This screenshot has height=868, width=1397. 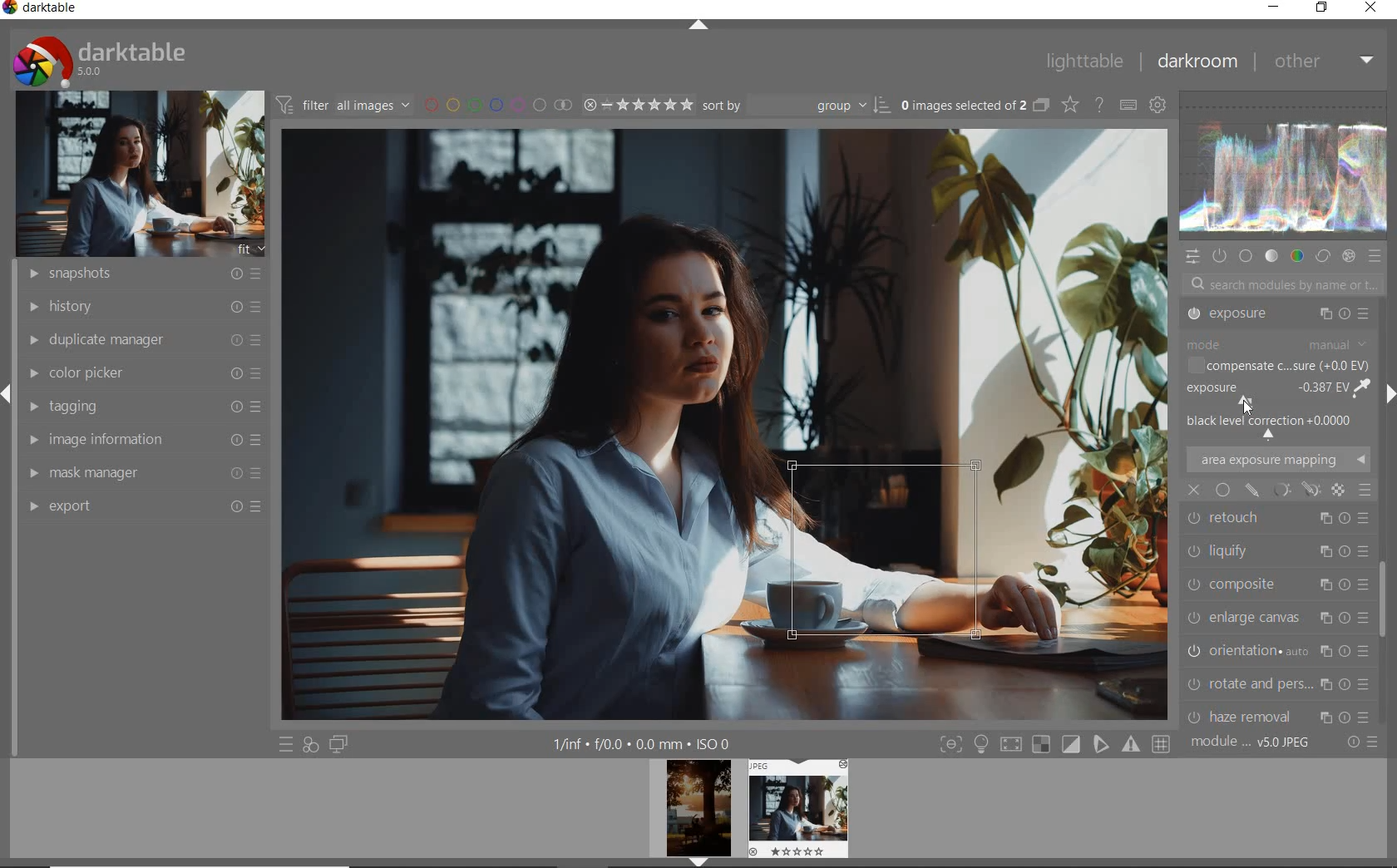 I want to click on blending options, so click(x=1365, y=491).